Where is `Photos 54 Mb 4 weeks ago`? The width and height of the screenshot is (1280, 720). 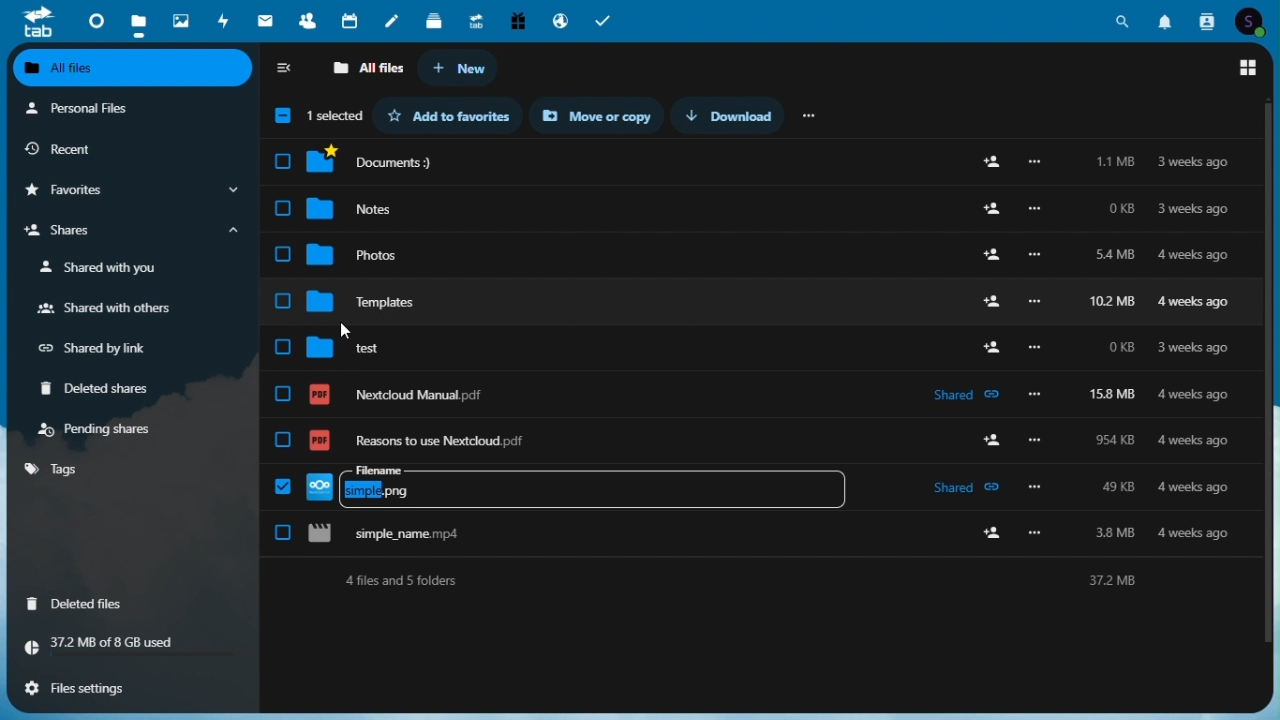
Photos 54 Mb 4 weeks ago is located at coordinates (759, 249).